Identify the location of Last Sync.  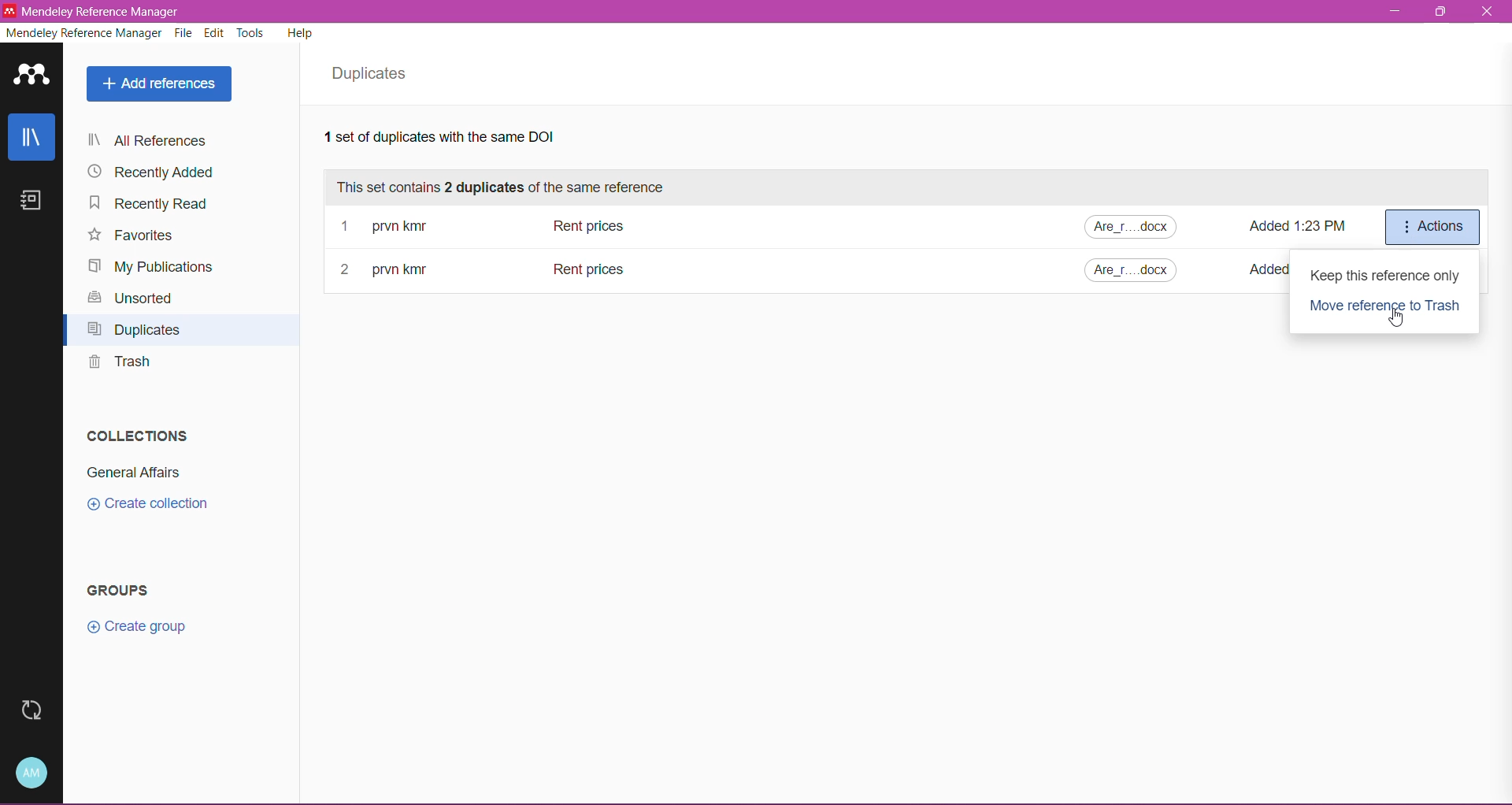
(29, 710).